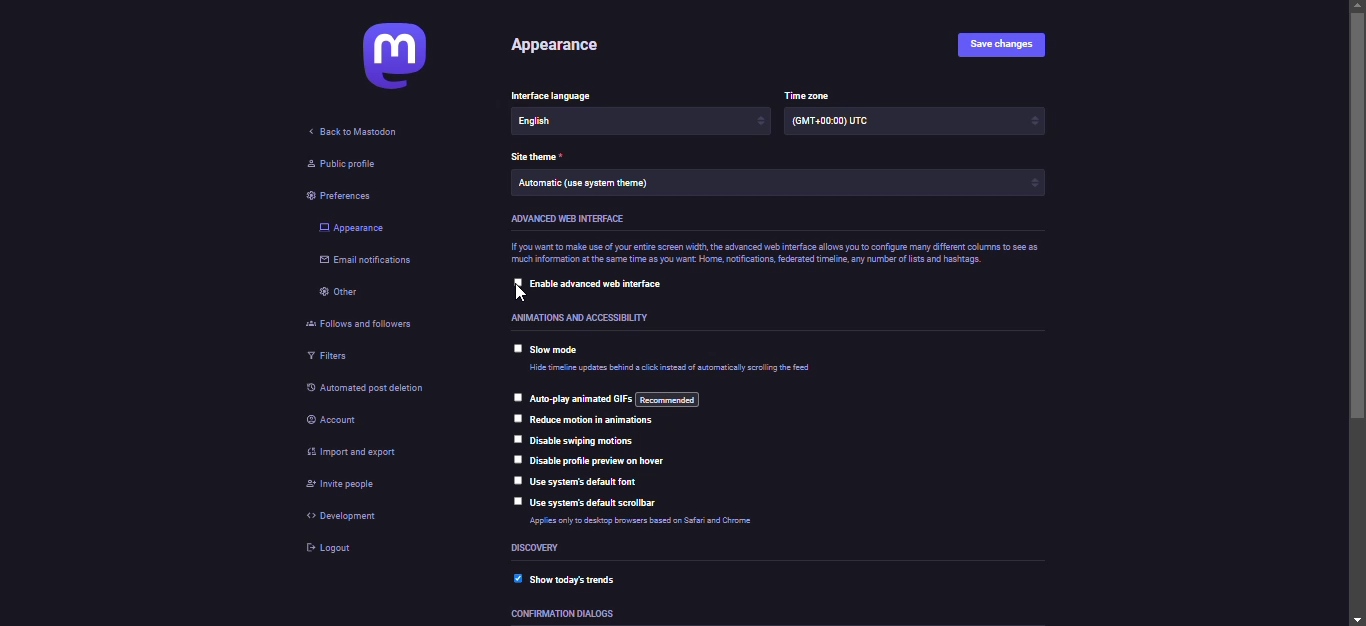 This screenshot has height=626, width=1366. What do you see at coordinates (699, 398) in the screenshot?
I see `auto play animated gifs: recommended` at bounding box center [699, 398].